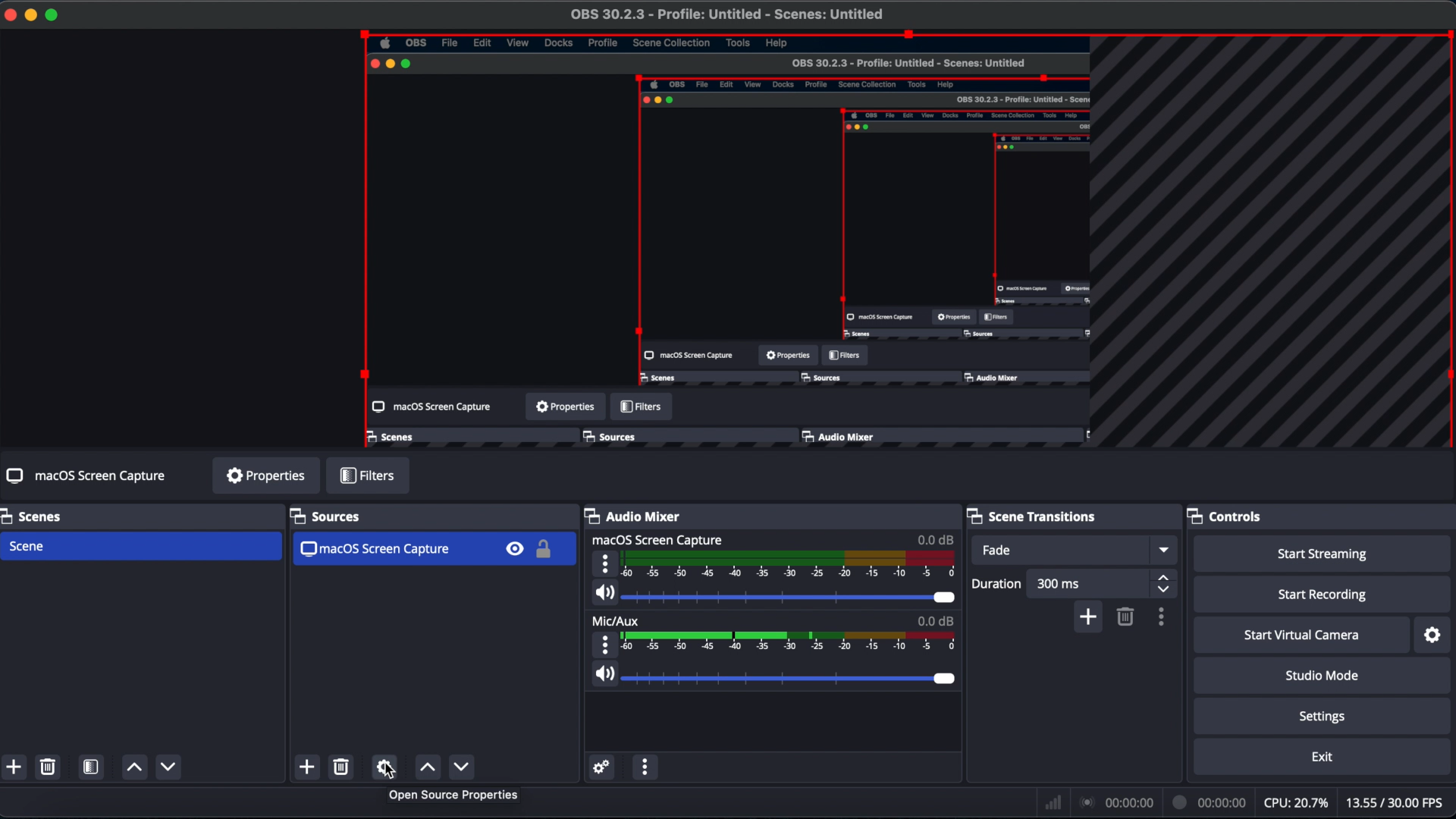 The image size is (1456, 819). What do you see at coordinates (1031, 516) in the screenshot?
I see `scene transitions` at bounding box center [1031, 516].